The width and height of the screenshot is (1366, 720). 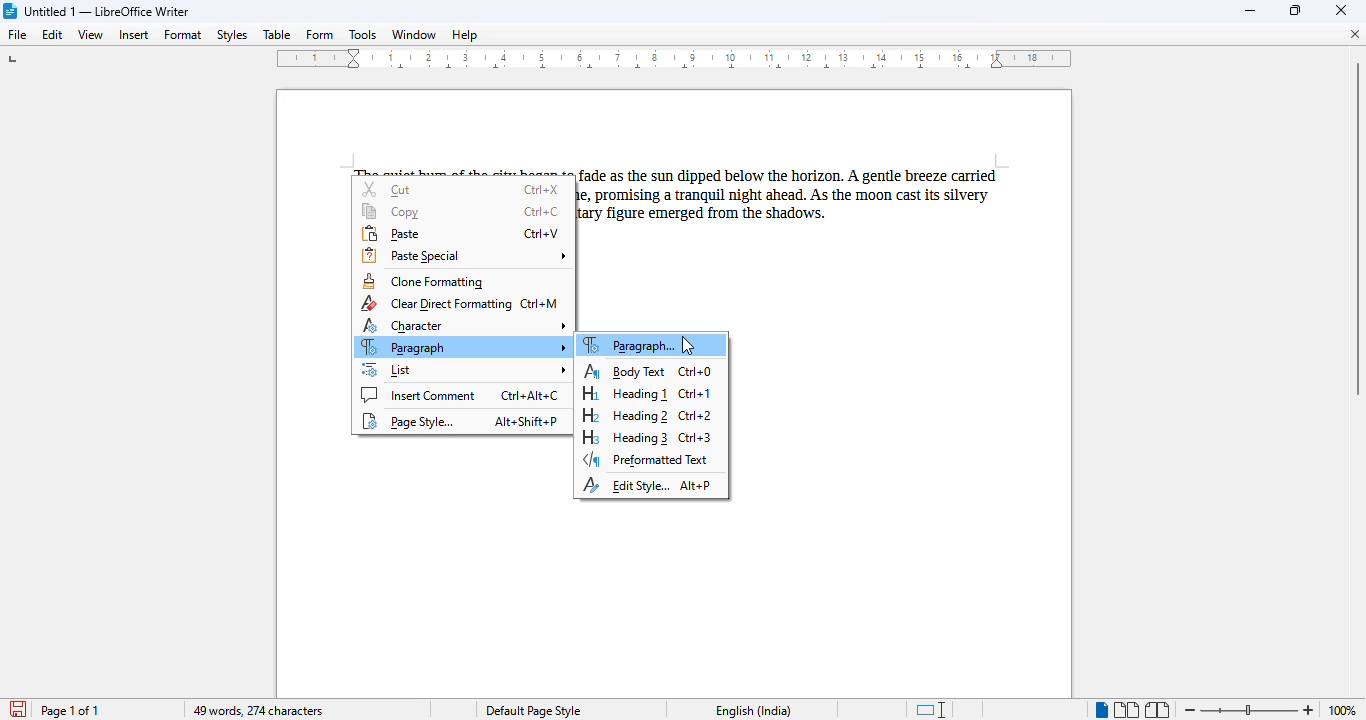 I want to click on zoom out, so click(x=1192, y=710).